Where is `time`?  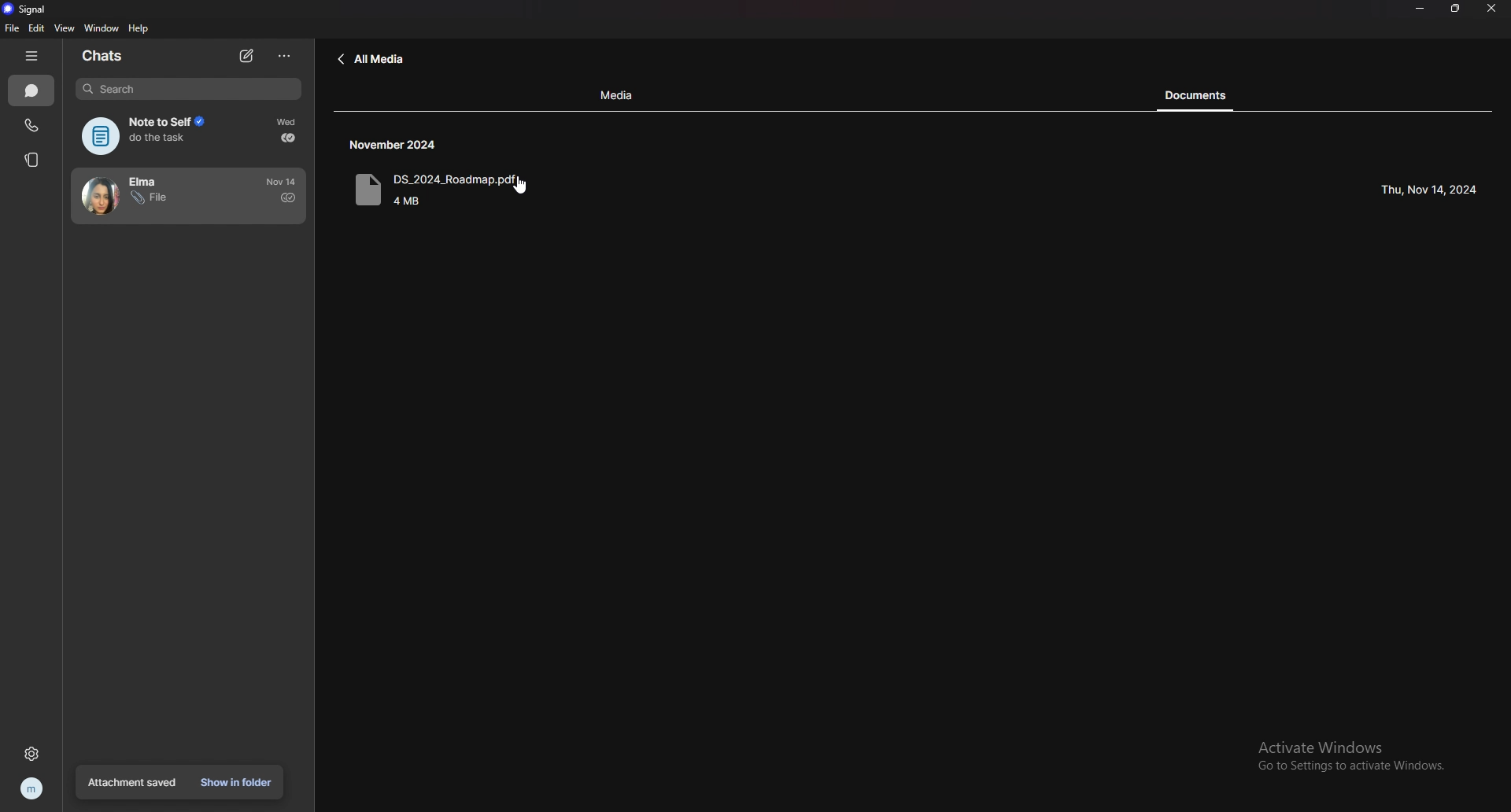
time is located at coordinates (283, 181).